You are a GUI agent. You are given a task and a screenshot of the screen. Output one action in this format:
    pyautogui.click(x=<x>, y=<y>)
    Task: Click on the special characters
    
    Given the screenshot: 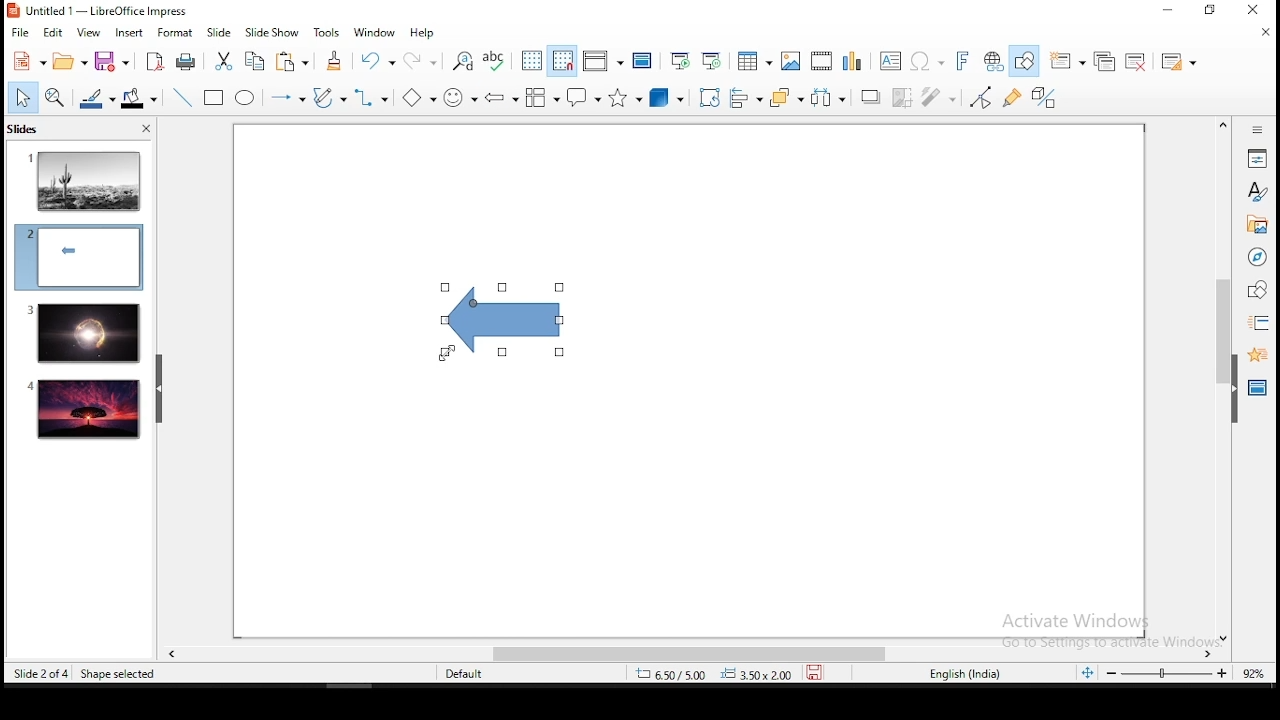 What is the action you would take?
    pyautogui.click(x=924, y=62)
    